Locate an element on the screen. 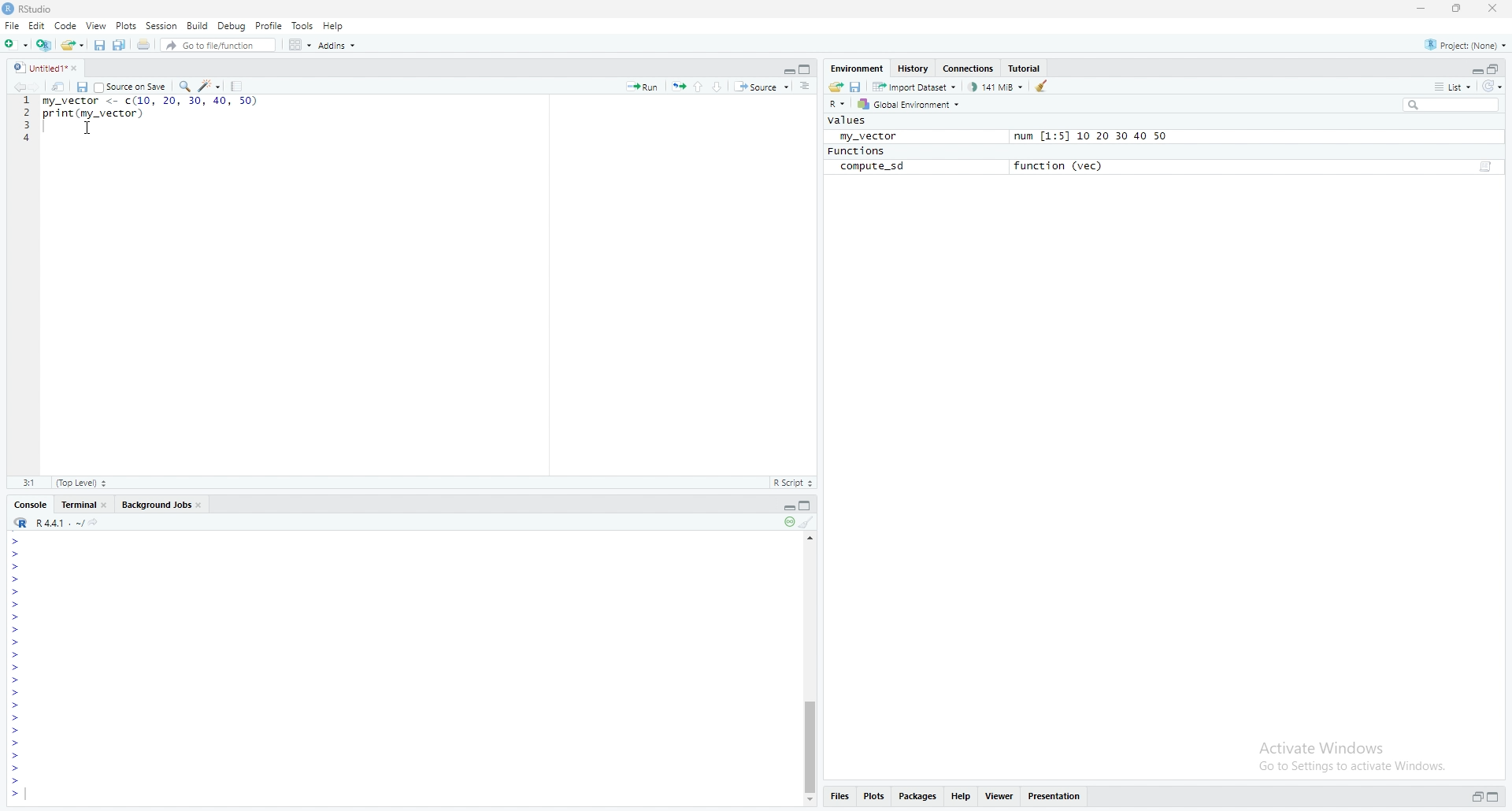  Go back to the previous source location (Ctrl + F9) is located at coordinates (24, 87).